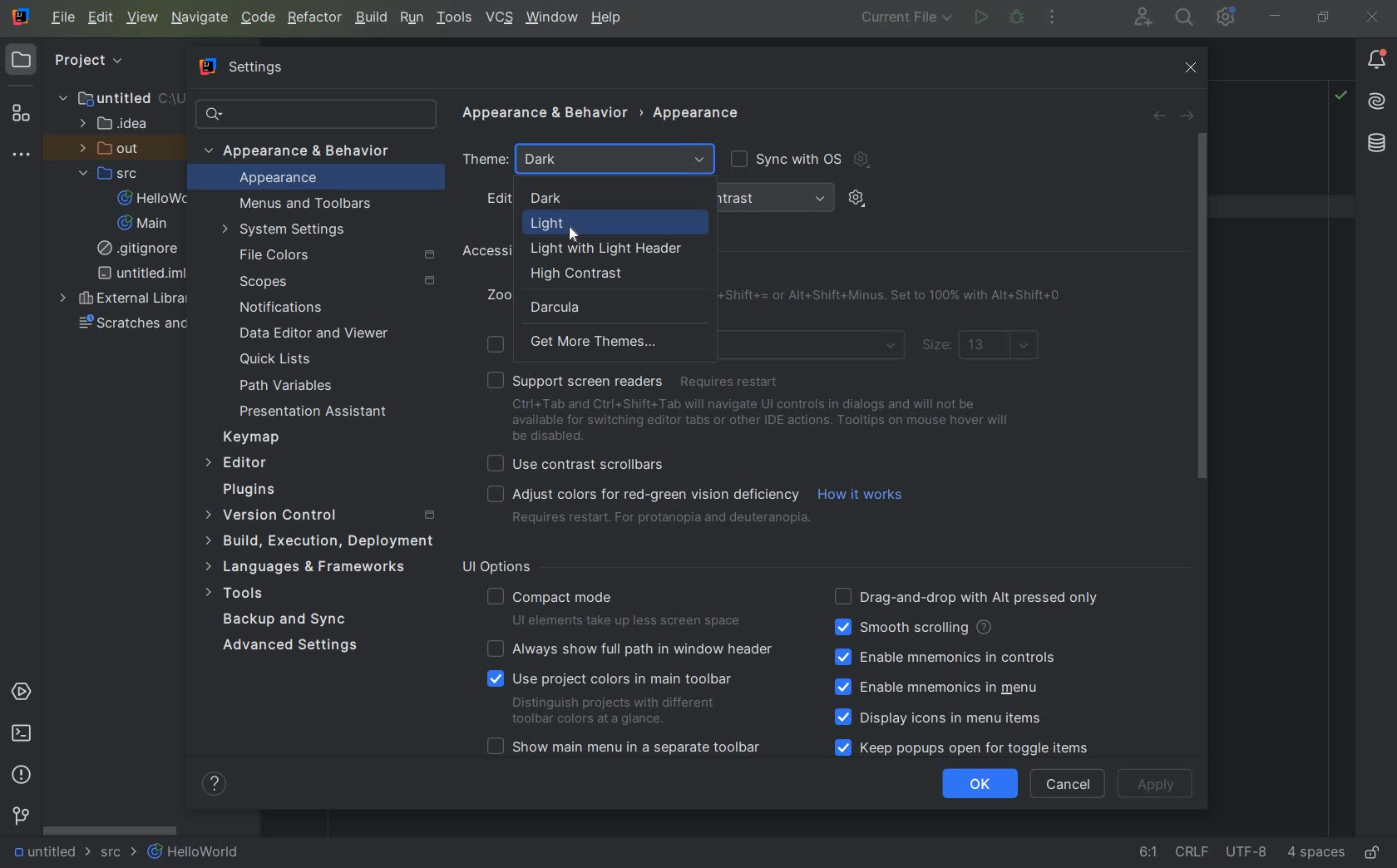 The width and height of the screenshot is (1397, 868). What do you see at coordinates (982, 348) in the screenshot?
I see `Size:13` at bounding box center [982, 348].